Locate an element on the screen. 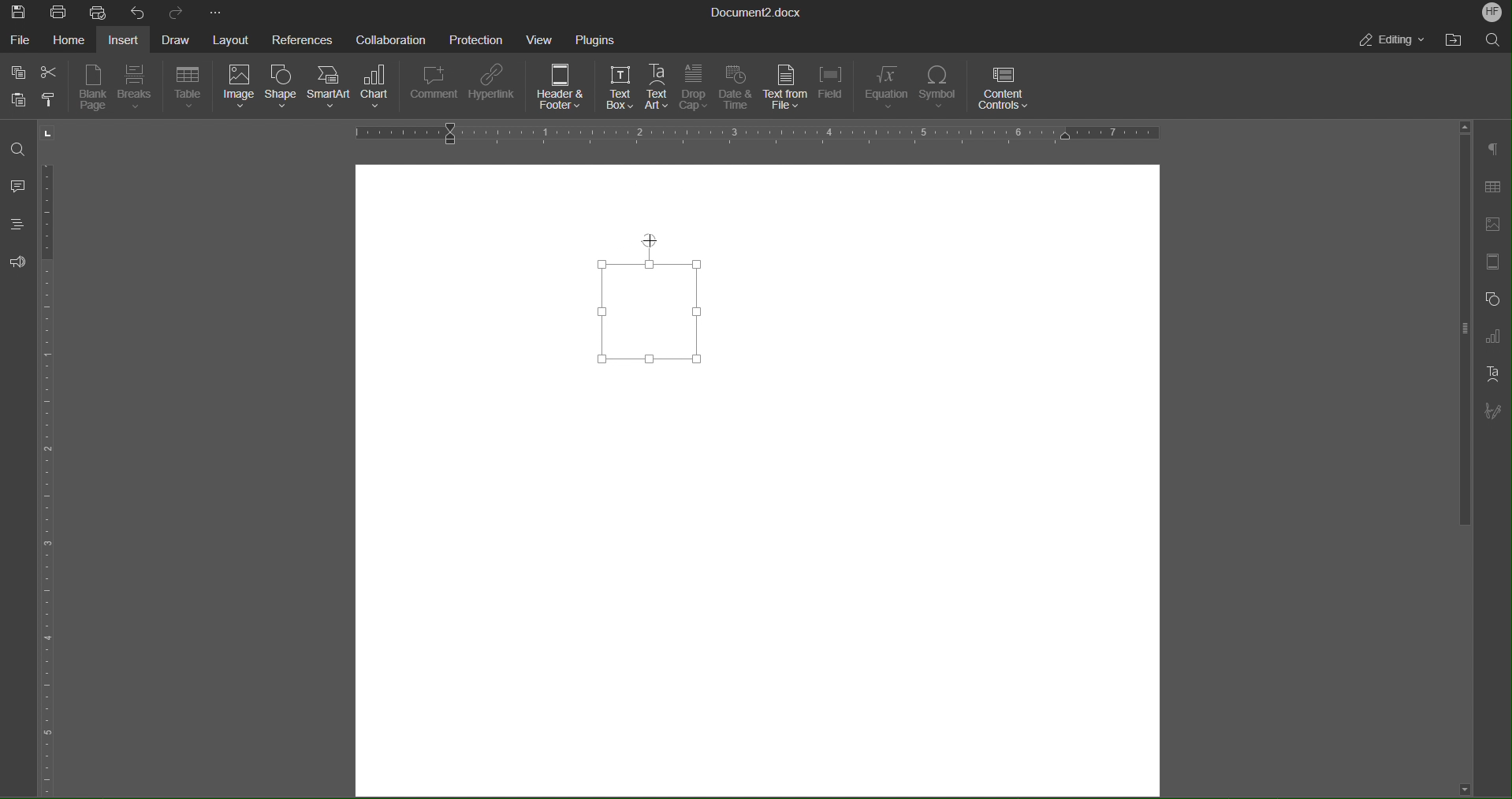  Text Box is located at coordinates (620, 87).